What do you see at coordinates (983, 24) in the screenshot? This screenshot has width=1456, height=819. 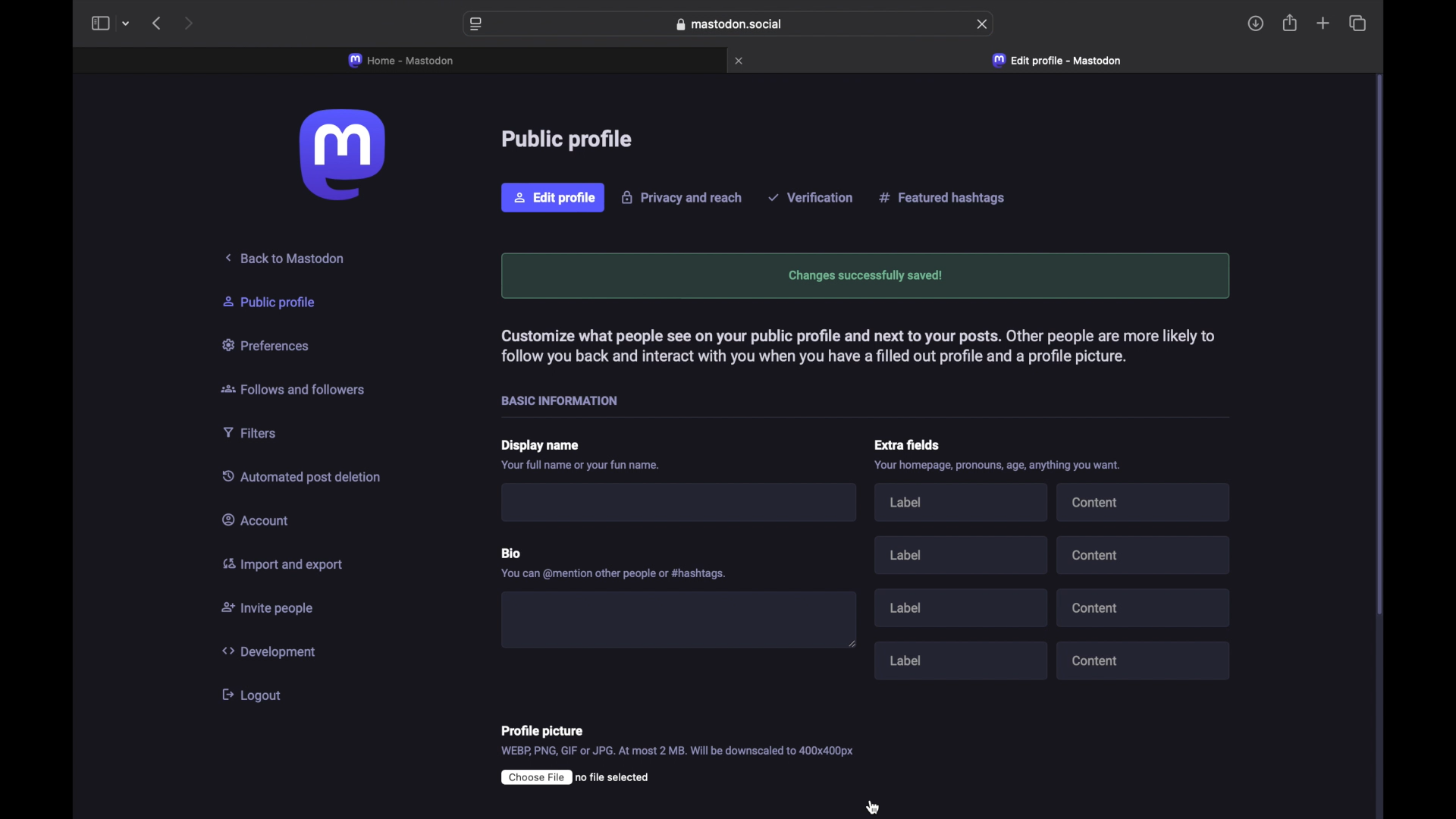 I see `refresh` at bounding box center [983, 24].